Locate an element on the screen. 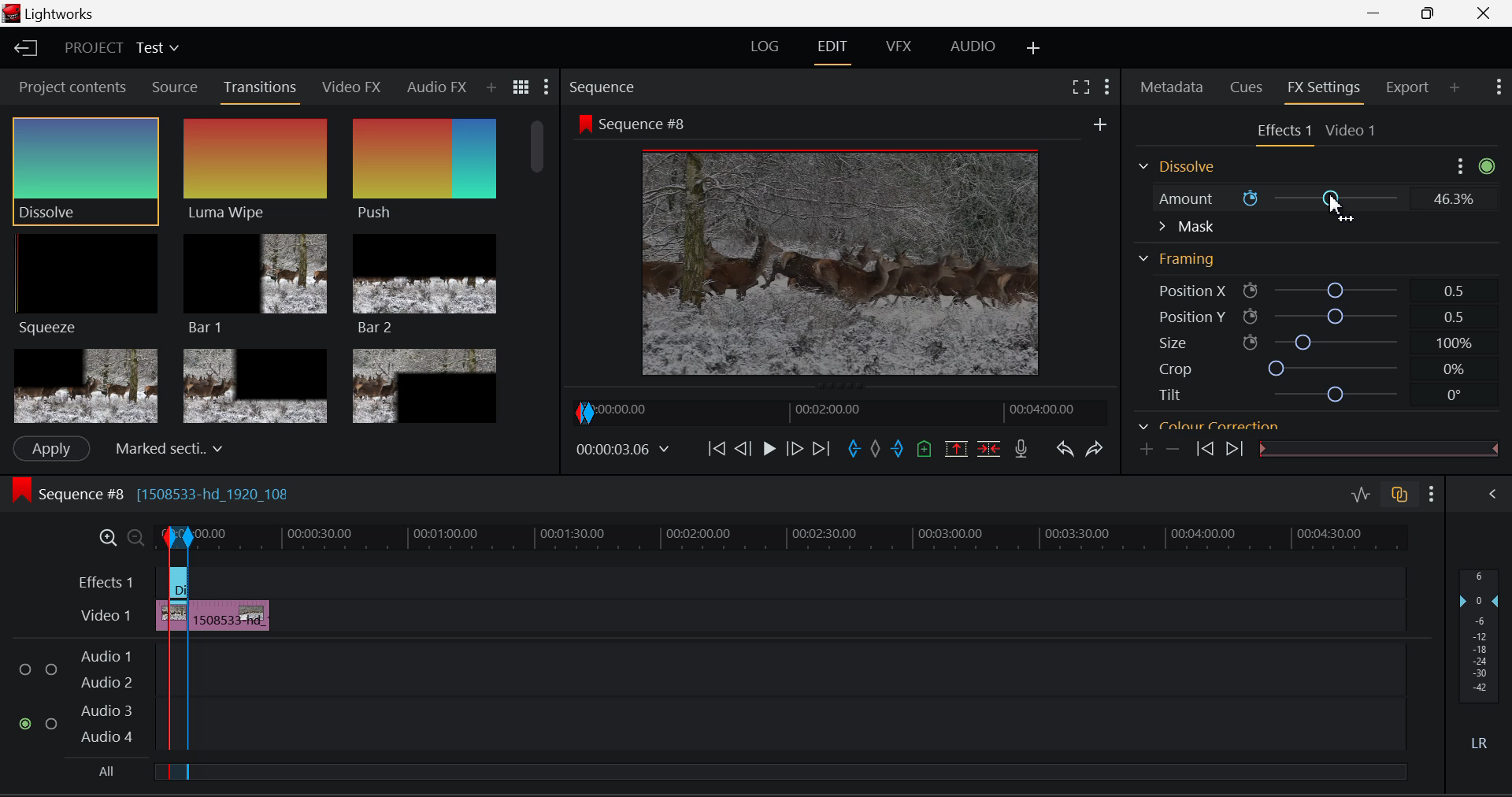 The height and width of the screenshot is (797, 1512). Push is located at coordinates (424, 172).